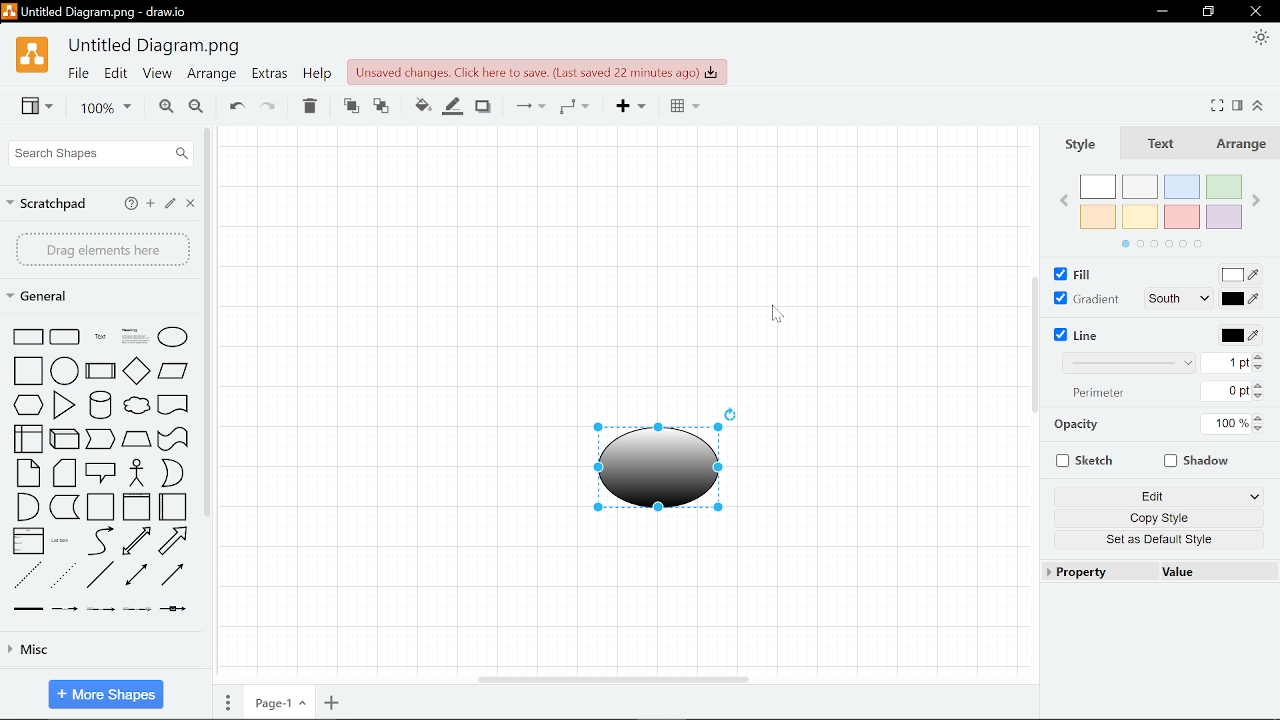 Image resolution: width=1280 pixels, height=720 pixels. Describe the element at coordinates (1076, 426) in the screenshot. I see `Opacity` at that location.